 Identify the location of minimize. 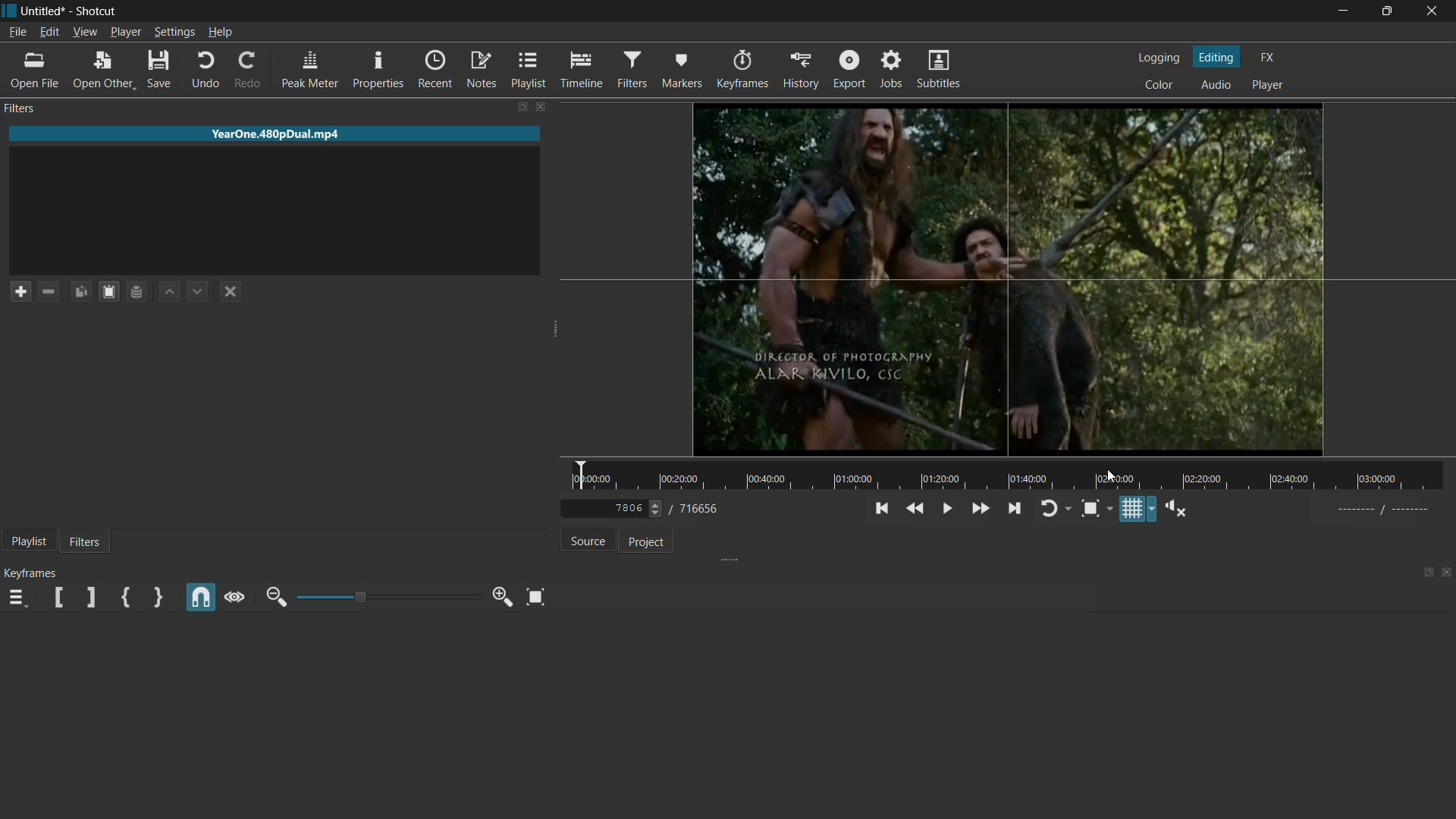
(1341, 10).